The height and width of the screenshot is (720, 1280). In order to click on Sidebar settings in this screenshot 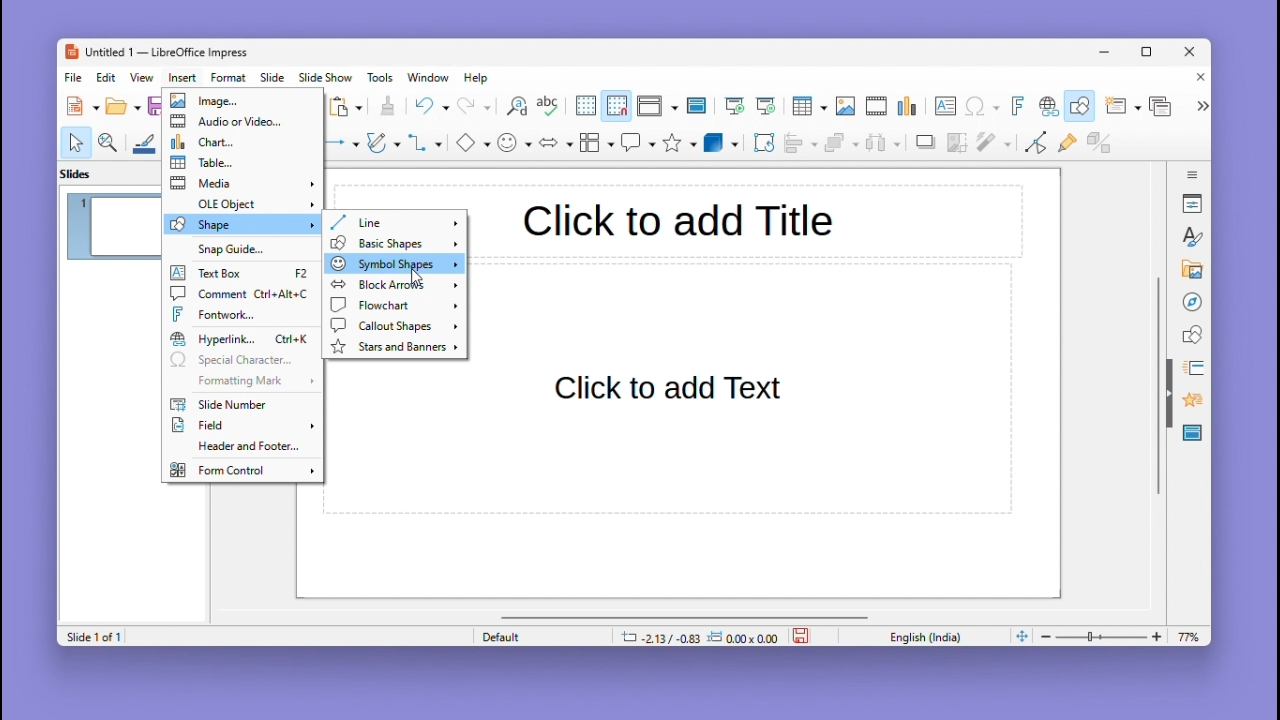, I will do `click(1193, 172)`.